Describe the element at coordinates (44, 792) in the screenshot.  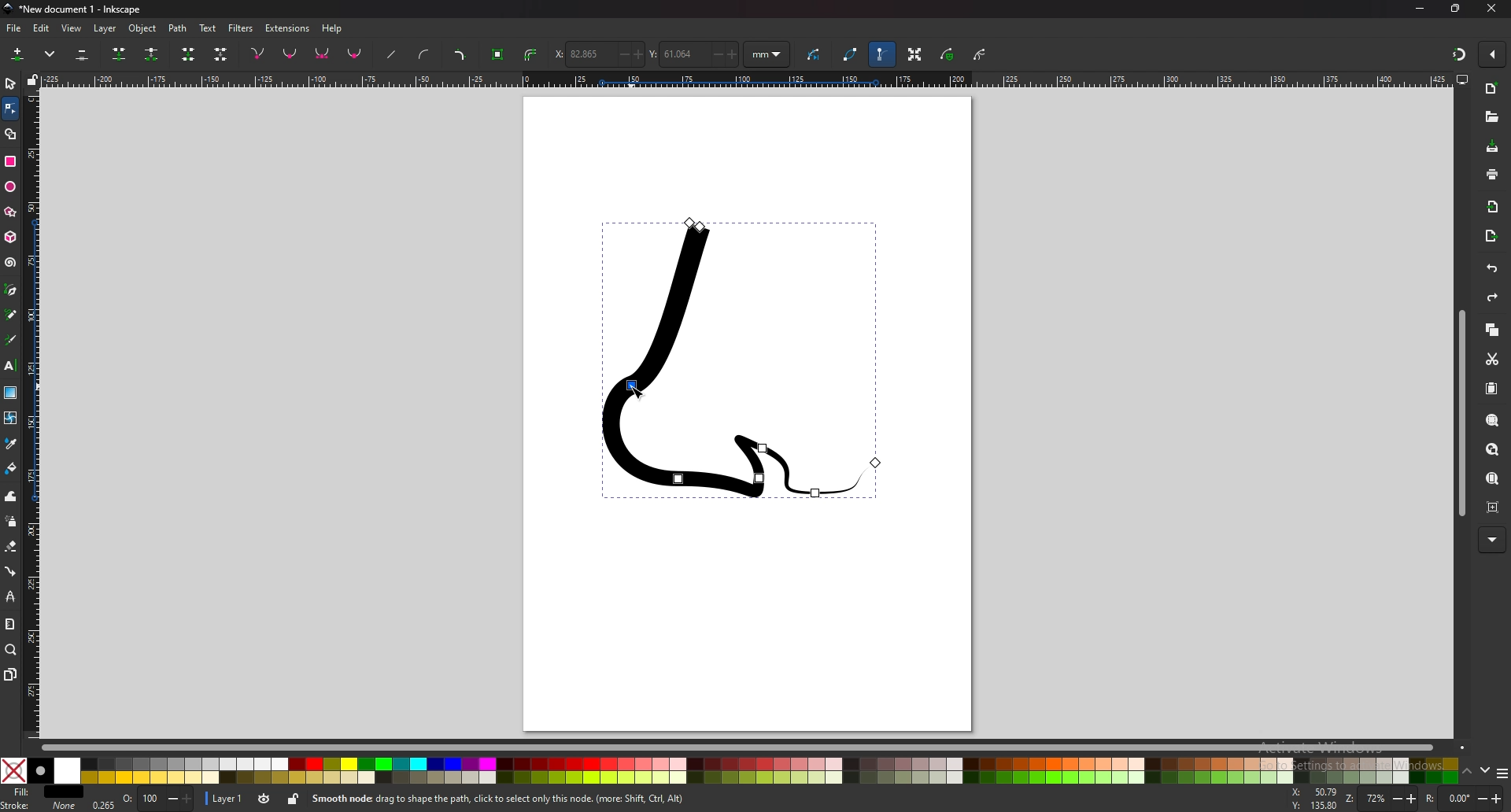
I see `fill` at that location.